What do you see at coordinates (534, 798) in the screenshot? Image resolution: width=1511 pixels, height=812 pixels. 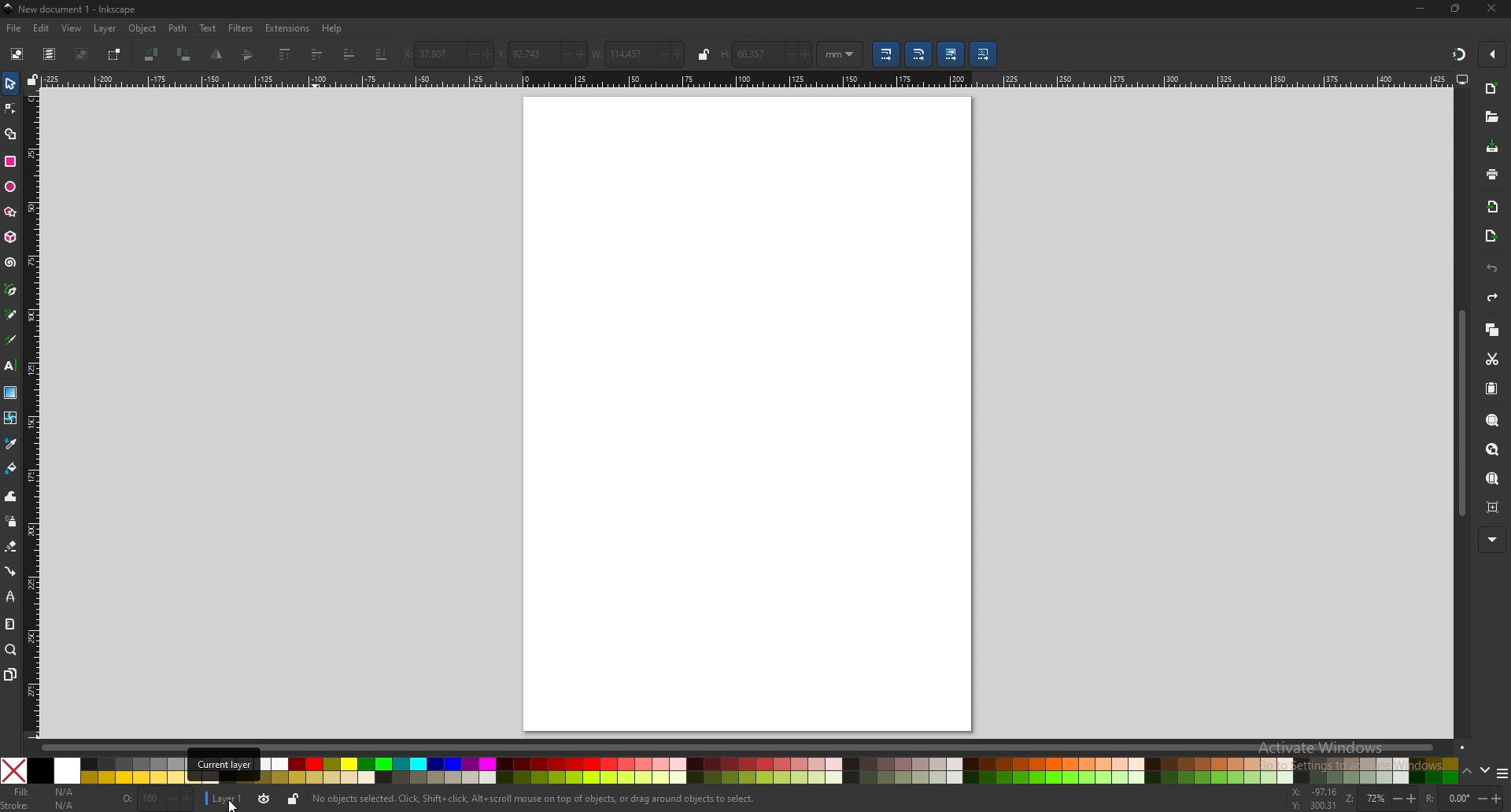 I see `info` at bounding box center [534, 798].